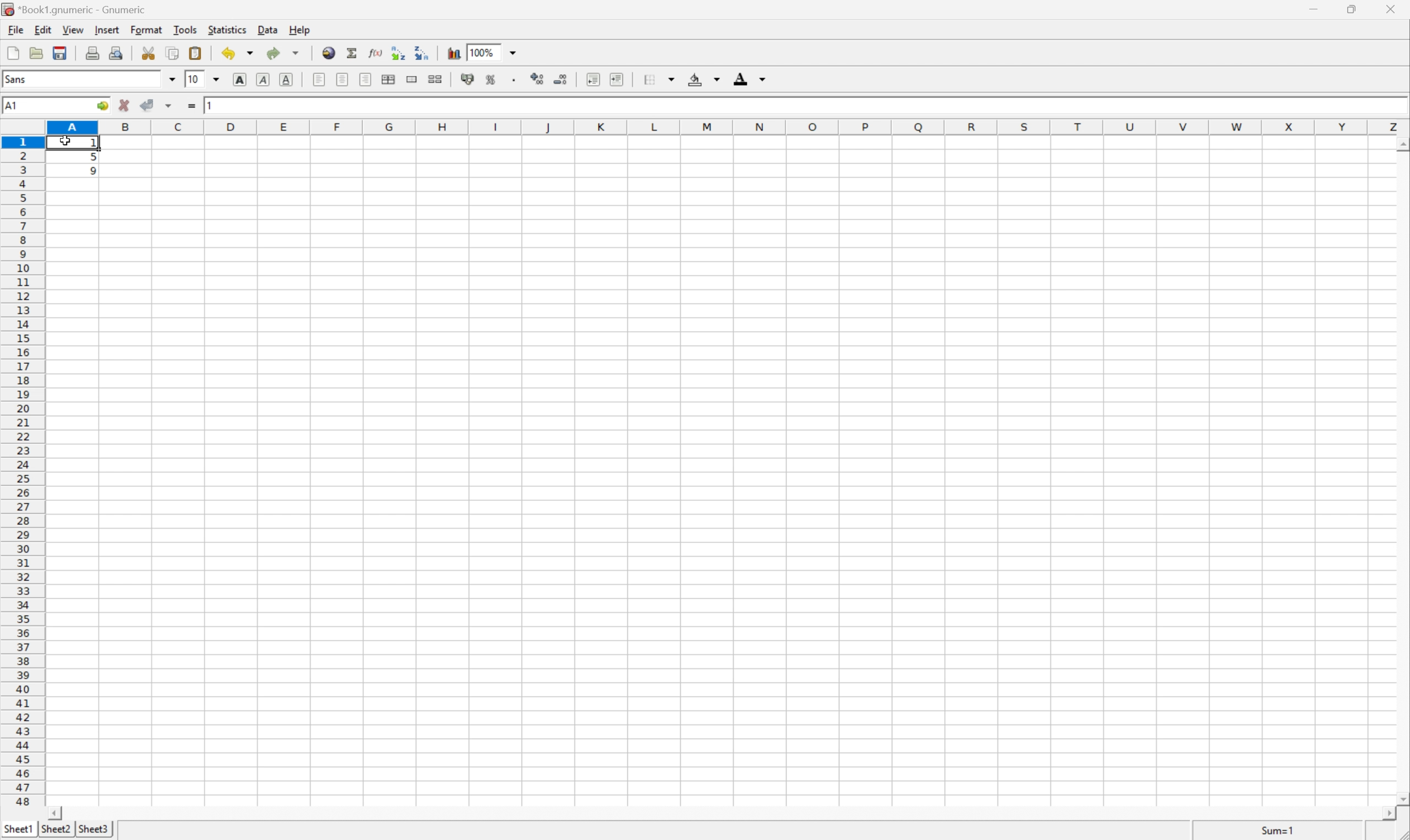 The height and width of the screenshot is (840, 1410). I want to click on foreground, so click(748, 77).